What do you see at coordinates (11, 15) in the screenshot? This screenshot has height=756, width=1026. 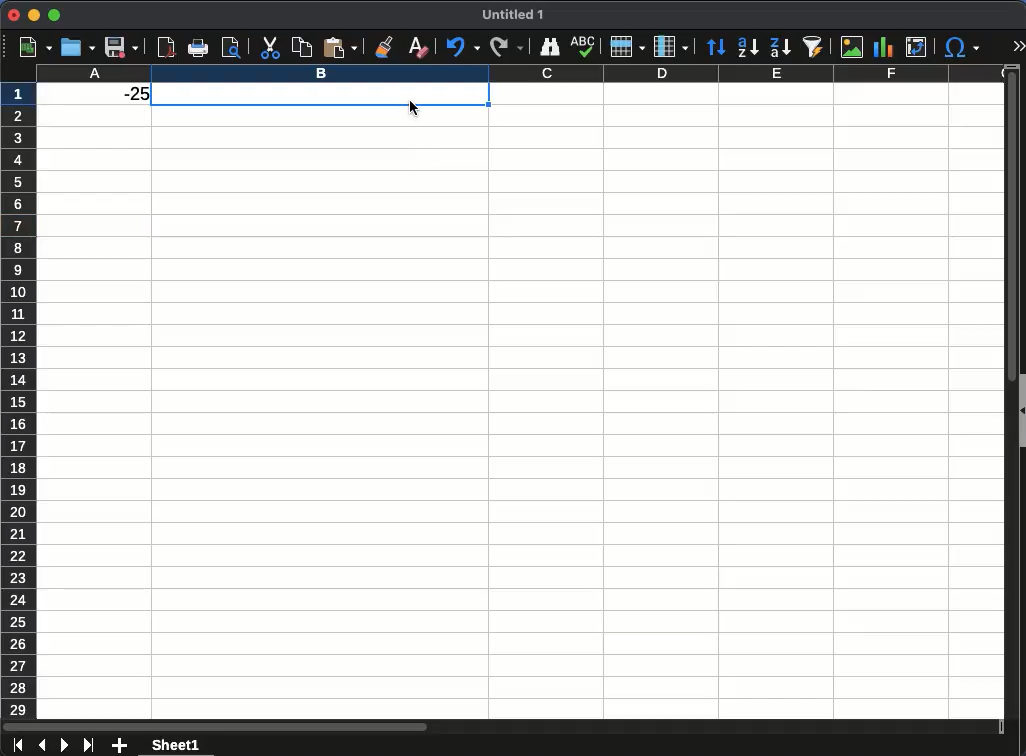 I see `close` at bounding box center [11, 15].